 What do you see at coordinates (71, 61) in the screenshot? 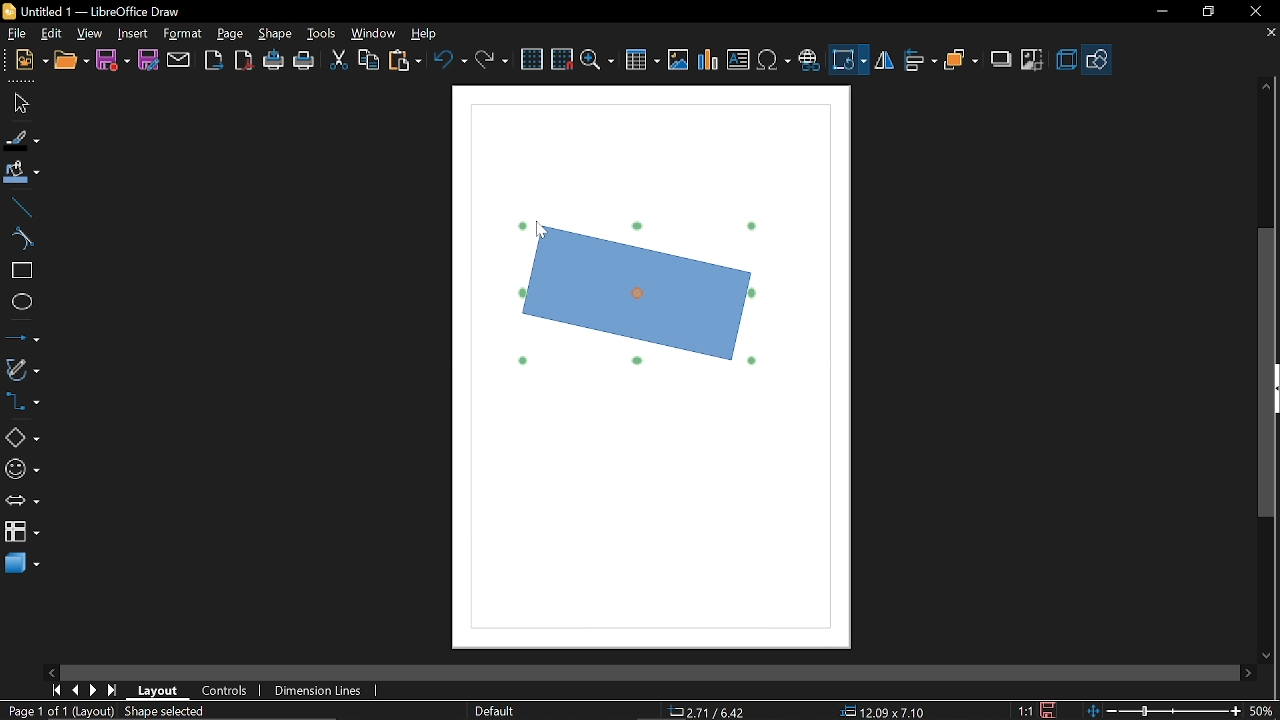
I see `Open` at bounding box center [71, 61].